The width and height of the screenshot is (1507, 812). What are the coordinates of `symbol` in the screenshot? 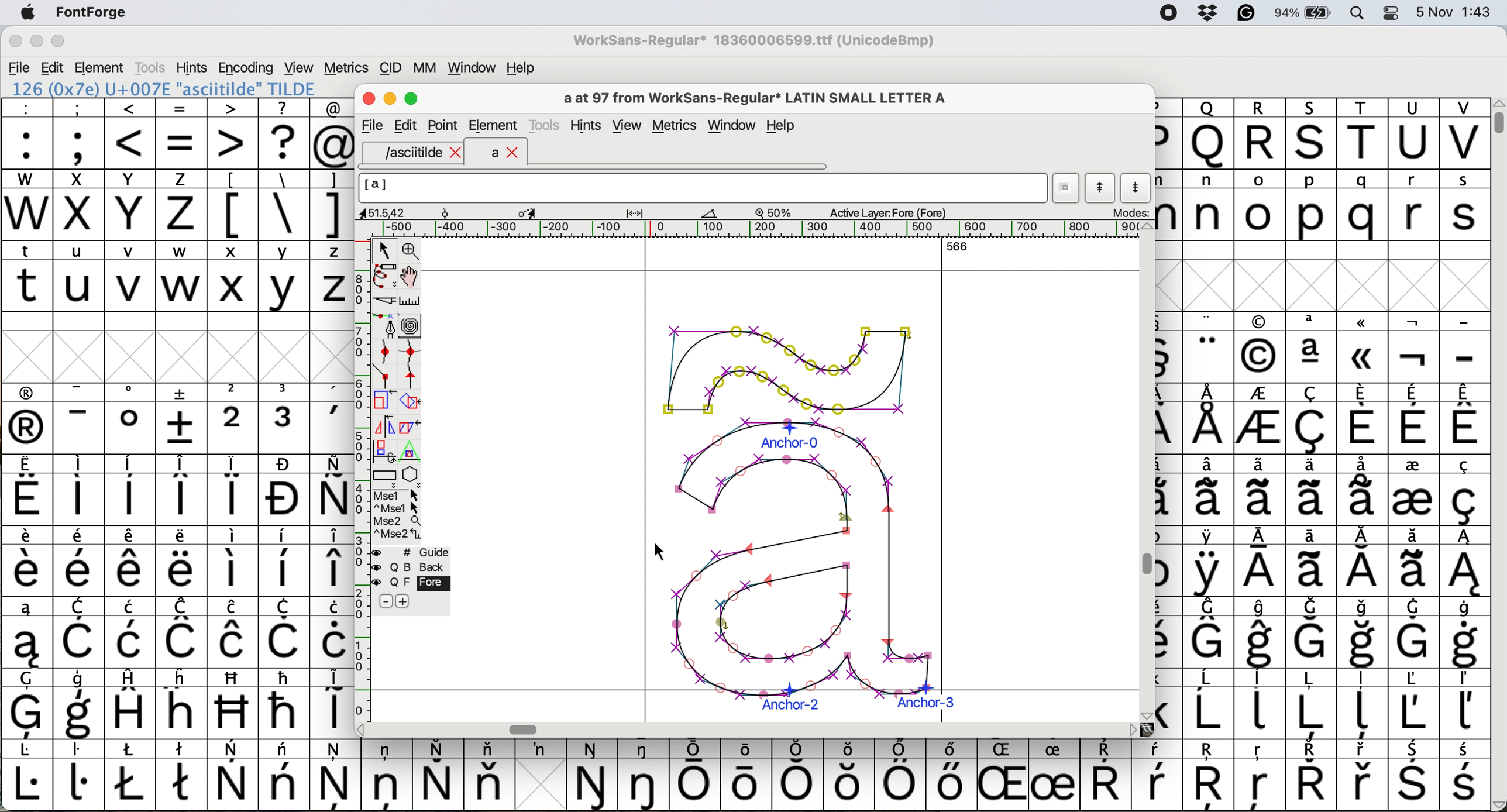 It's located at (1211, 490).